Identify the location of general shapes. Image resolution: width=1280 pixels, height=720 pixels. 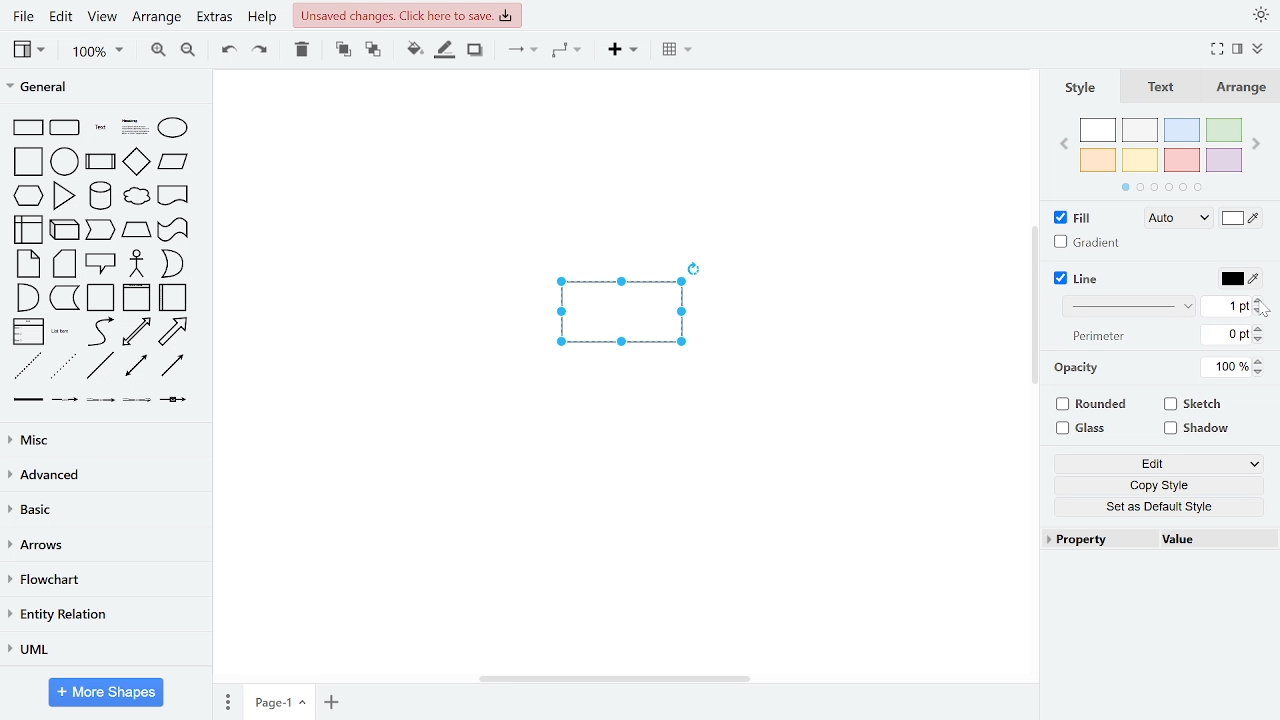
(28, 230).